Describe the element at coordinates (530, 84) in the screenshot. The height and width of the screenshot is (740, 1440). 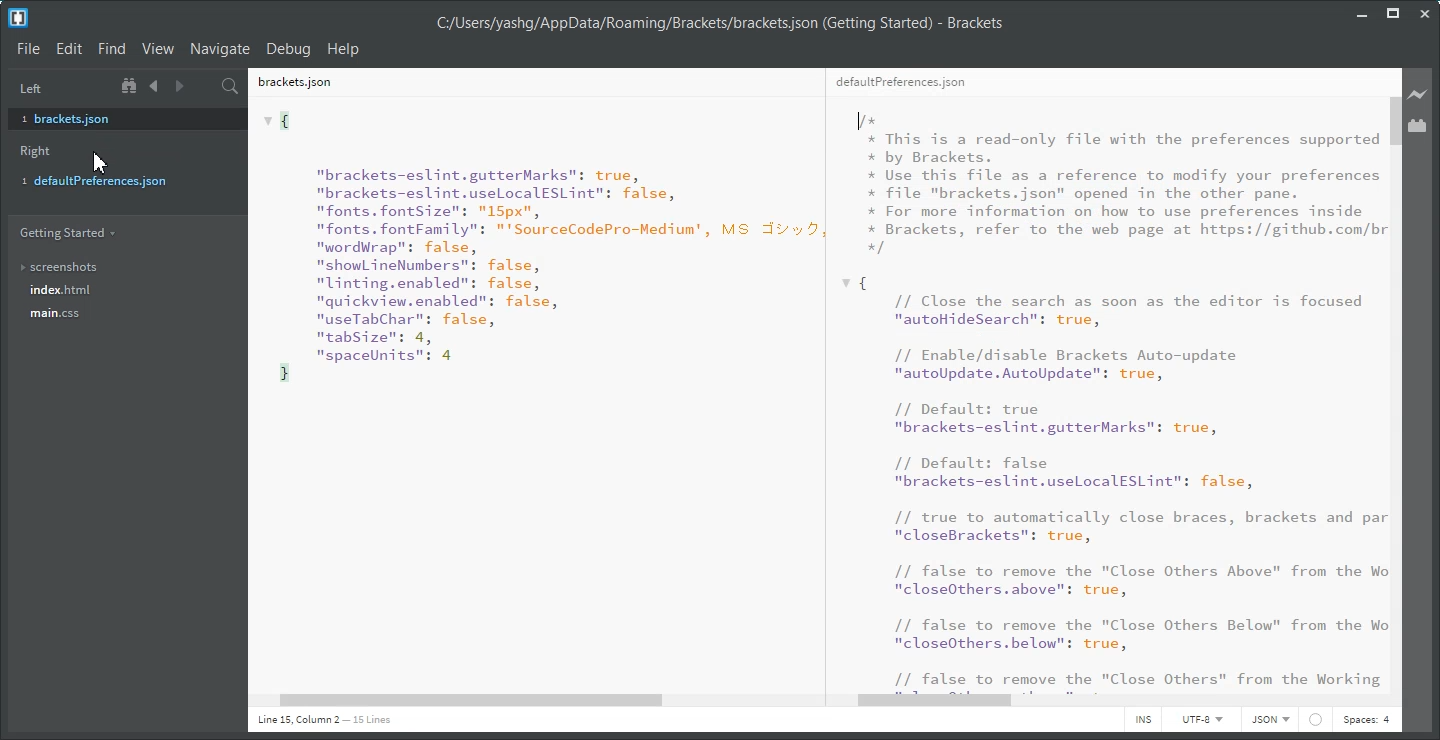
I see `brackets.json File` at that location.